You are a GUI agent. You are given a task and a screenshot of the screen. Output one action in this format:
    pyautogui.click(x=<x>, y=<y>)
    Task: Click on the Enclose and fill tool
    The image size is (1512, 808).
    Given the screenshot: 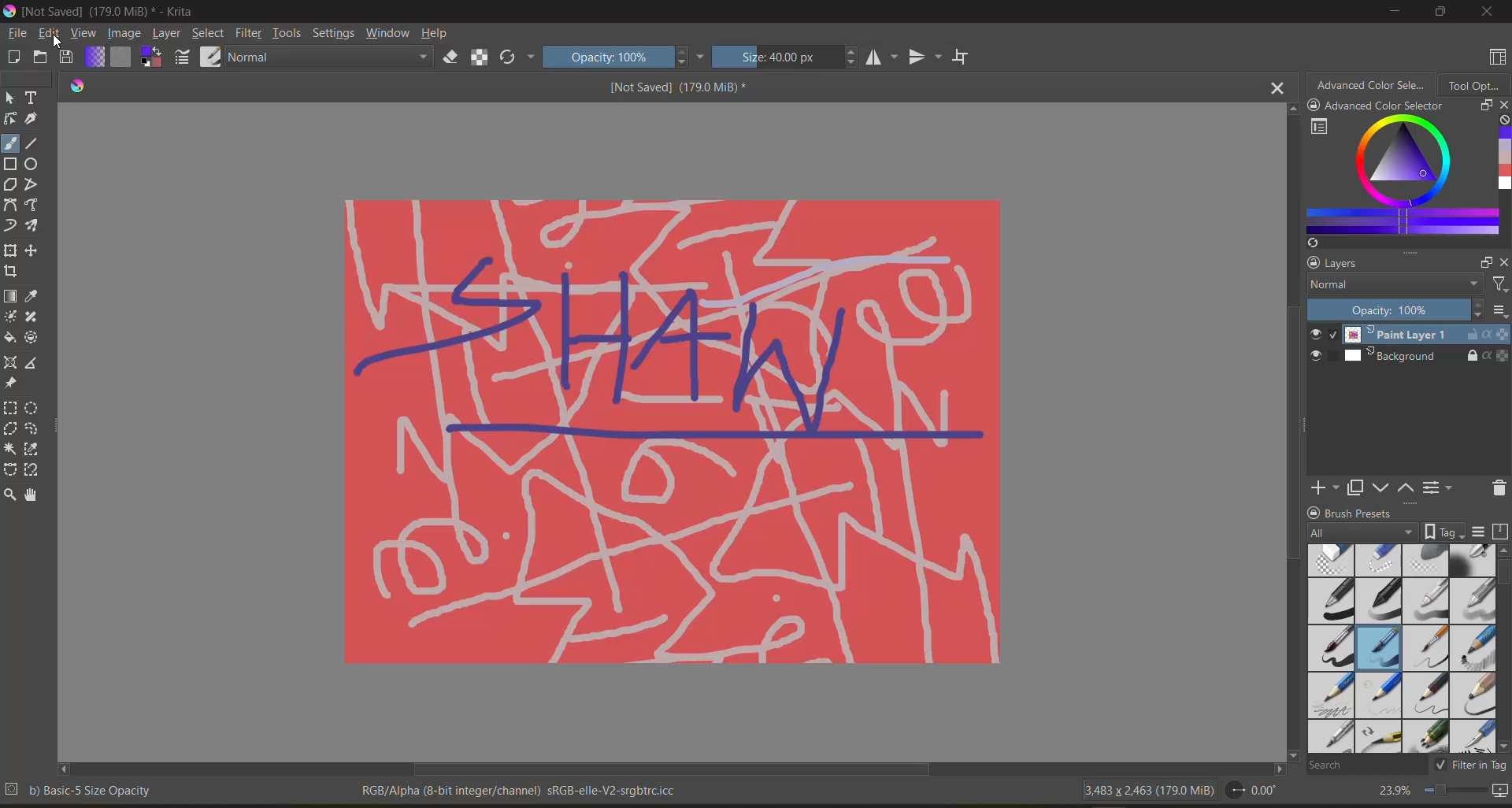 What is the action you would take?
    pyautogui.click(x=35, y=338)
    